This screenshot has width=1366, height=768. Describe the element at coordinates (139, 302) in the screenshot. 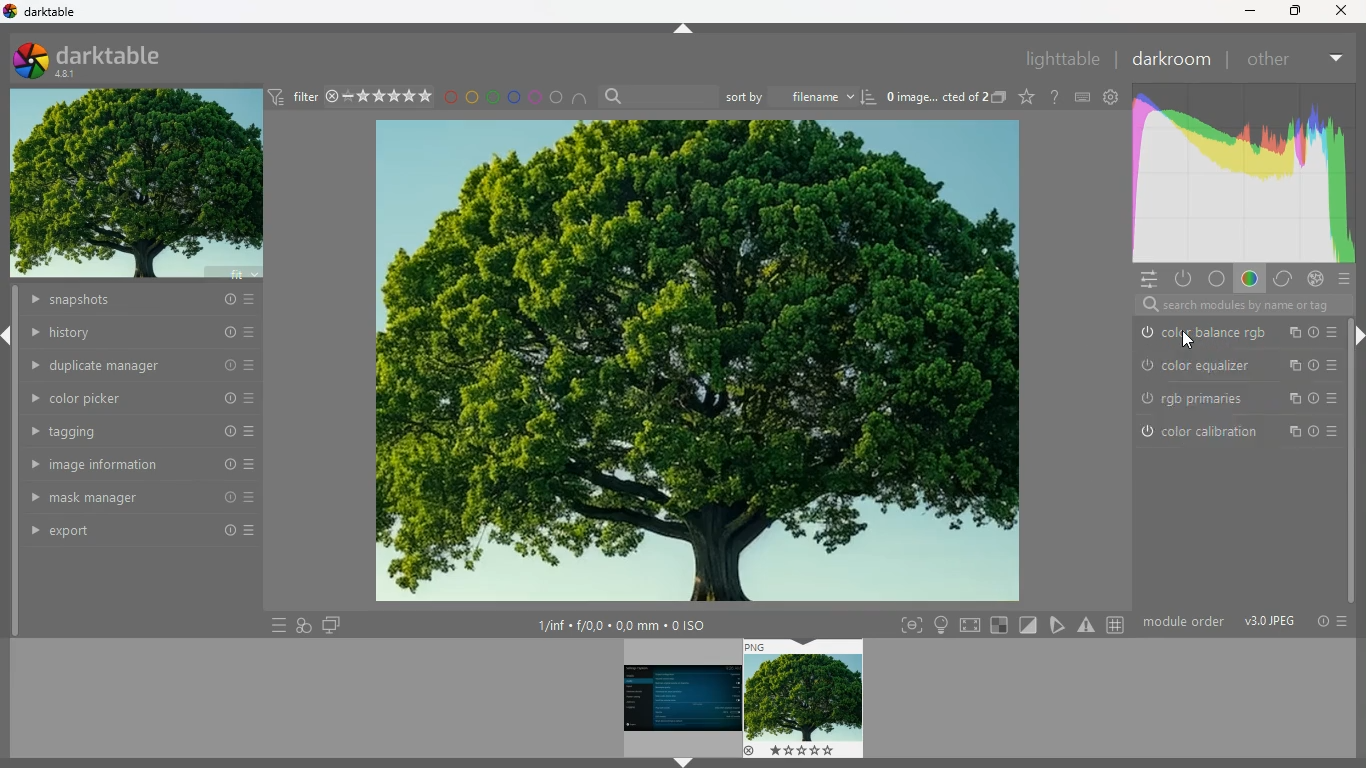

I see `snapshots` at that location.